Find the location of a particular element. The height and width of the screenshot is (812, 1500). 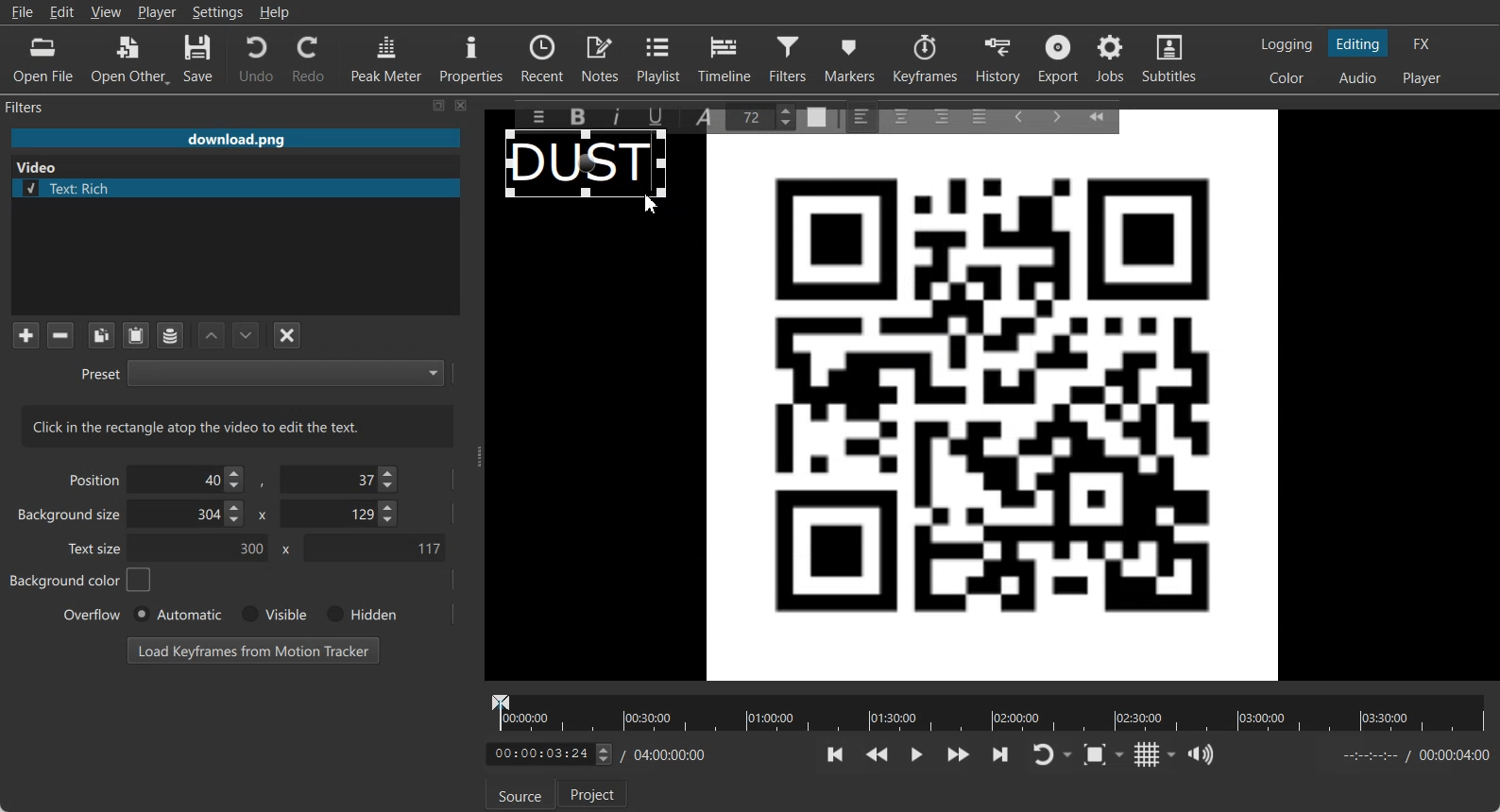

Markers is located at coordinates (851, 58).